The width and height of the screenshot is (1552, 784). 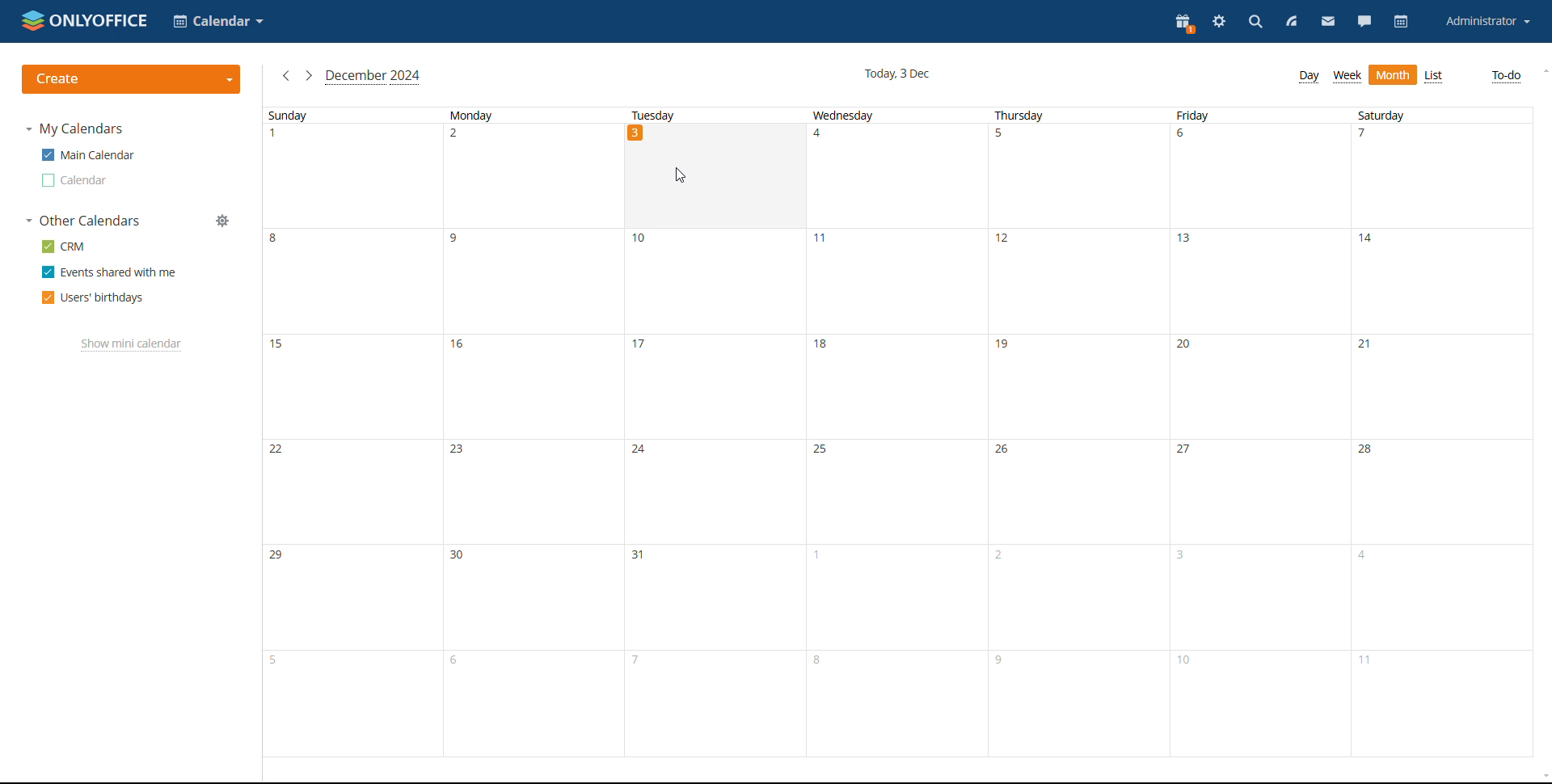 I want to click on next month, so click(x=309, y=77).